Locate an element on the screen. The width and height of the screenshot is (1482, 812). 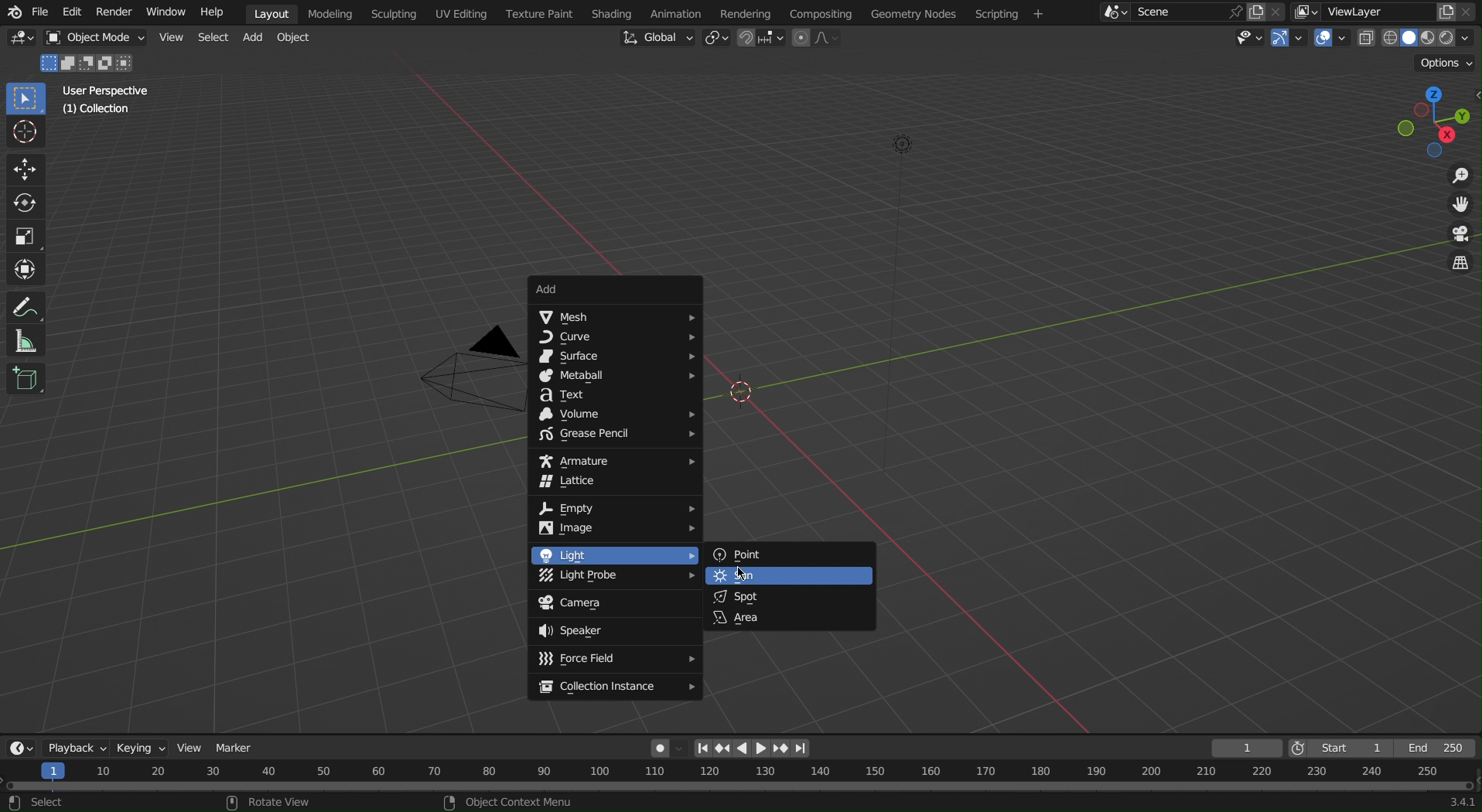
Scripting is located at coordinates (1009, 13).